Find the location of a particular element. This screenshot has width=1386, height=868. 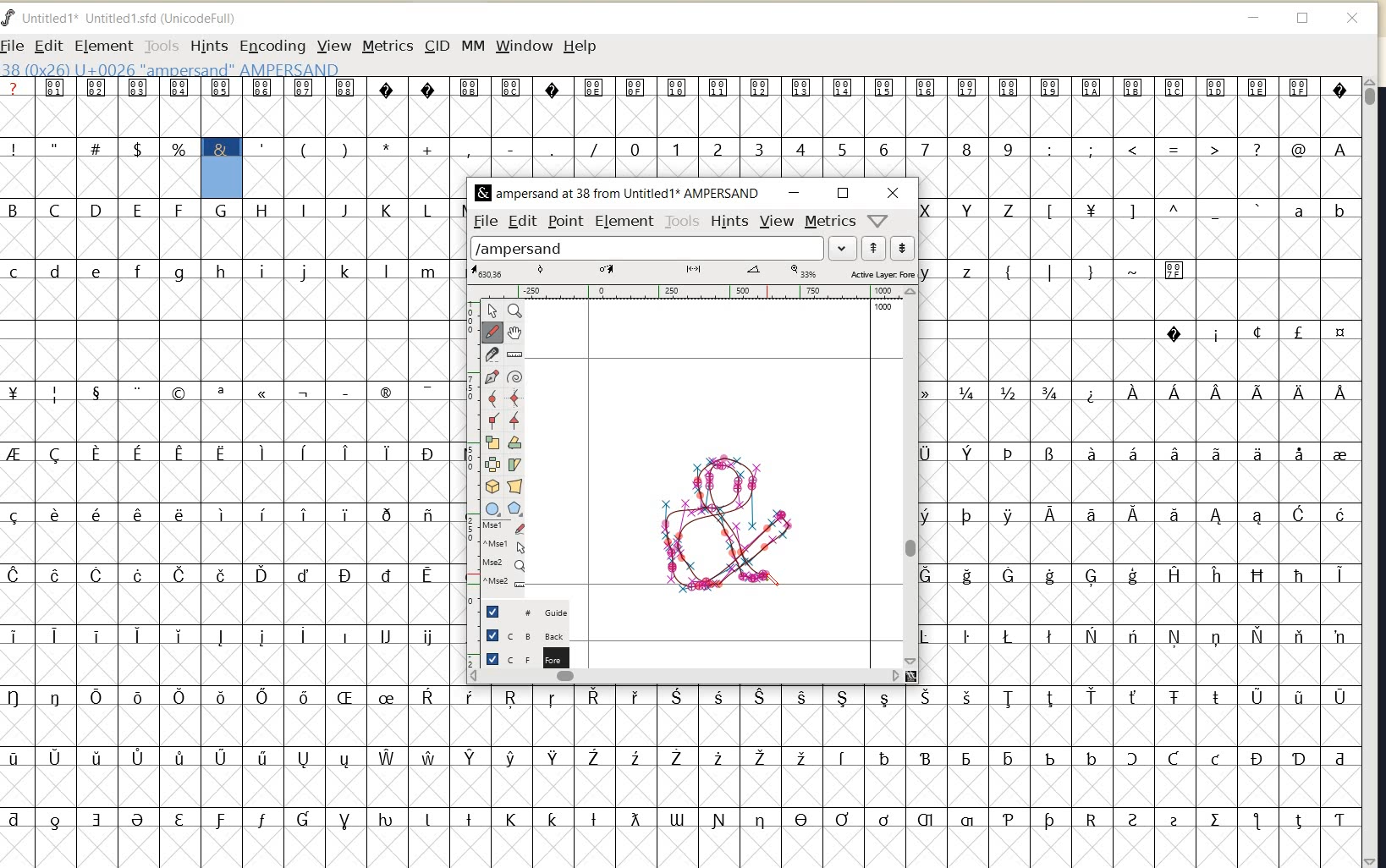

add a curve point is located at coordinates (492, 397).